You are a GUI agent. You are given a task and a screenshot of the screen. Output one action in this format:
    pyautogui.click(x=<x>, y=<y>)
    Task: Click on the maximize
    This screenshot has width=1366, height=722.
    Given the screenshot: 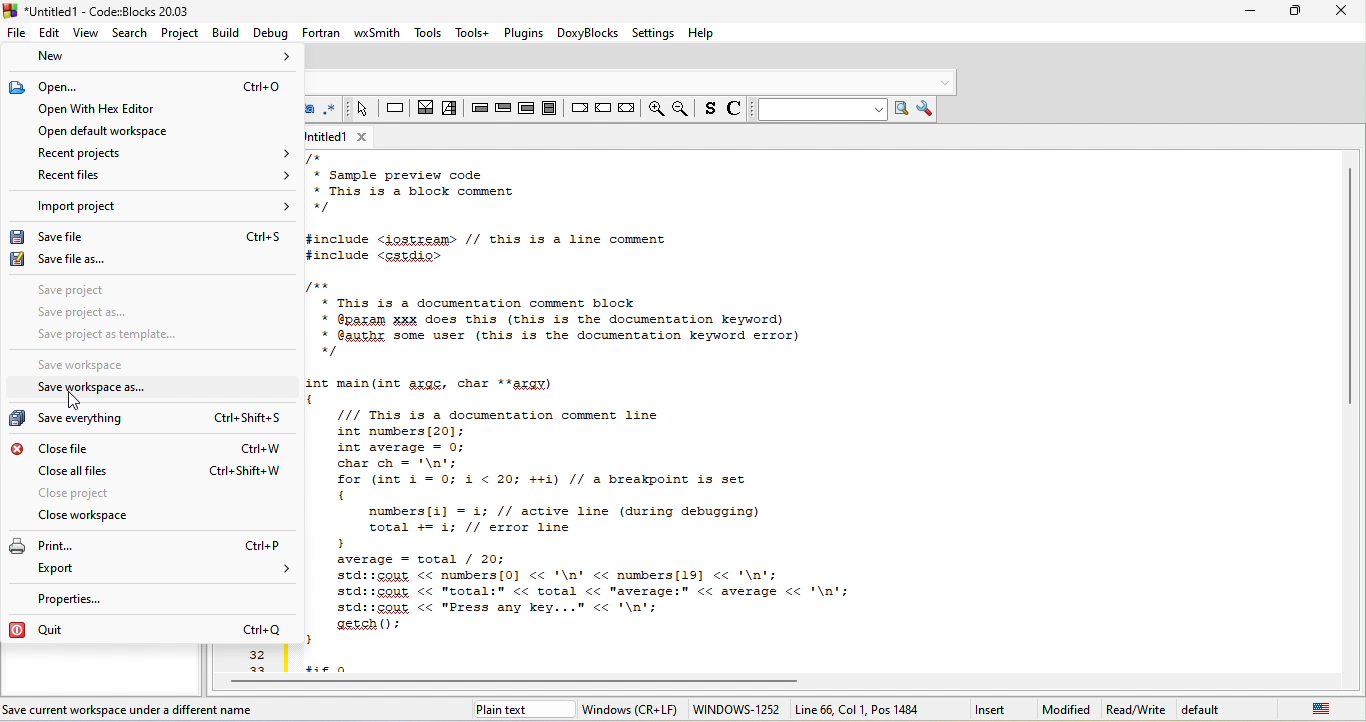 What is the action you would take?
    pyautogui.click(x=1298, y=9)
    